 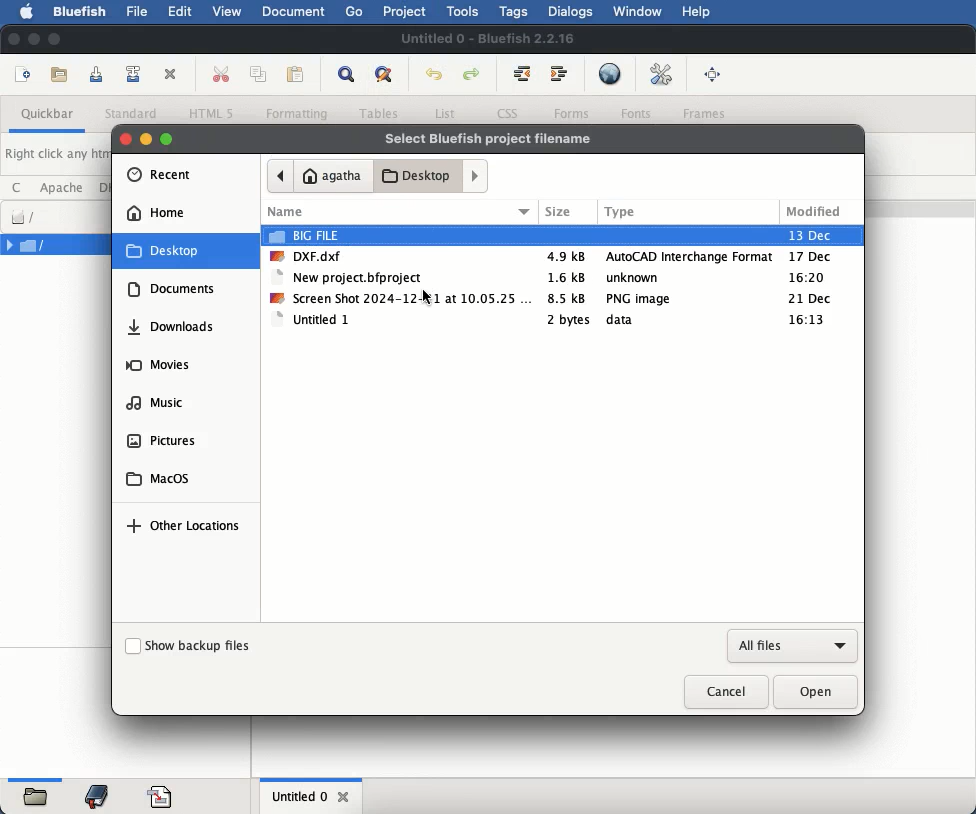 I want to click on open, so click(x=816, y=691).